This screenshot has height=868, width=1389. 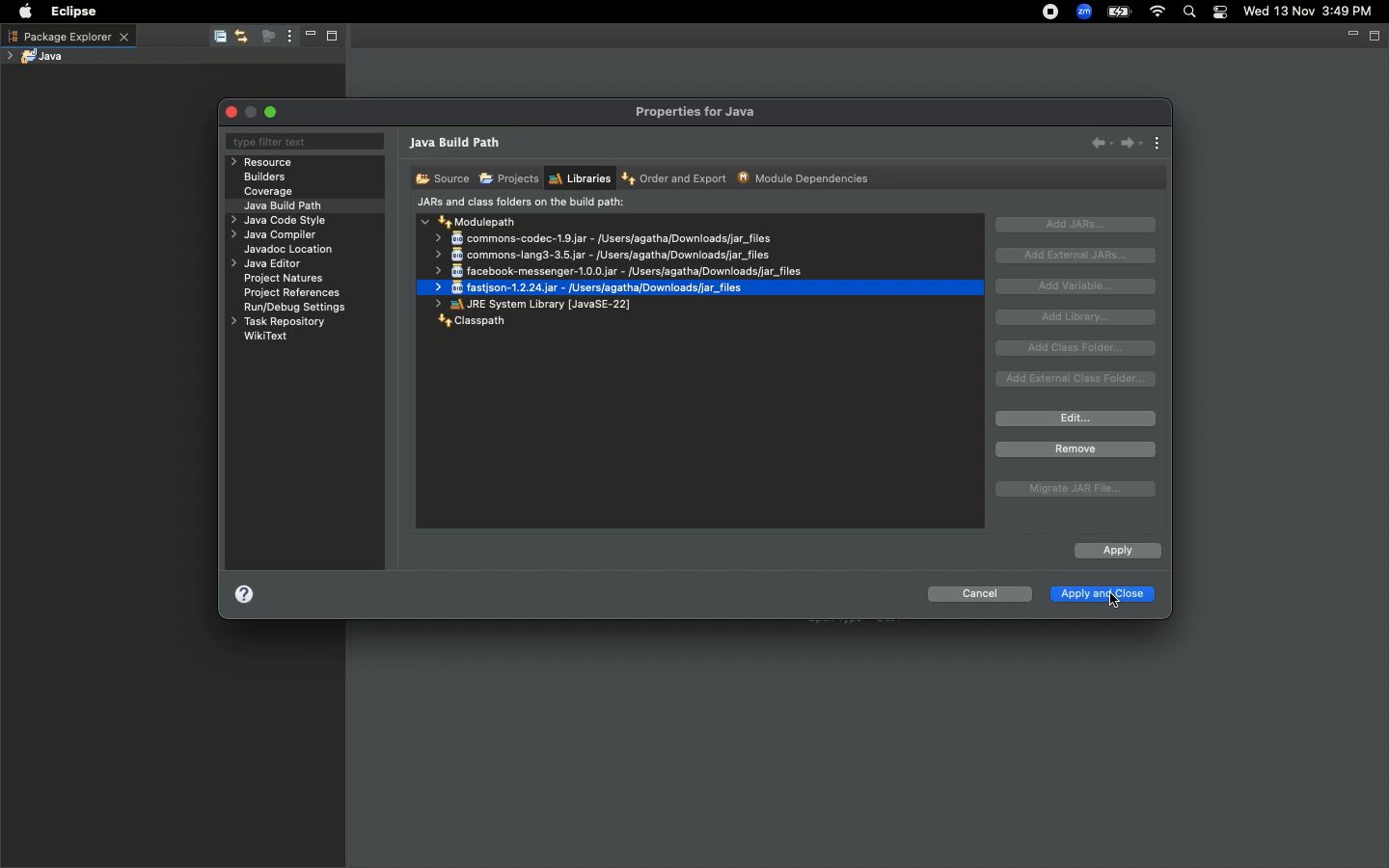 What do you see at coordinates (1376, 37) in the screenshot?
I see `Maximize` at bounding box center [1376, 37].